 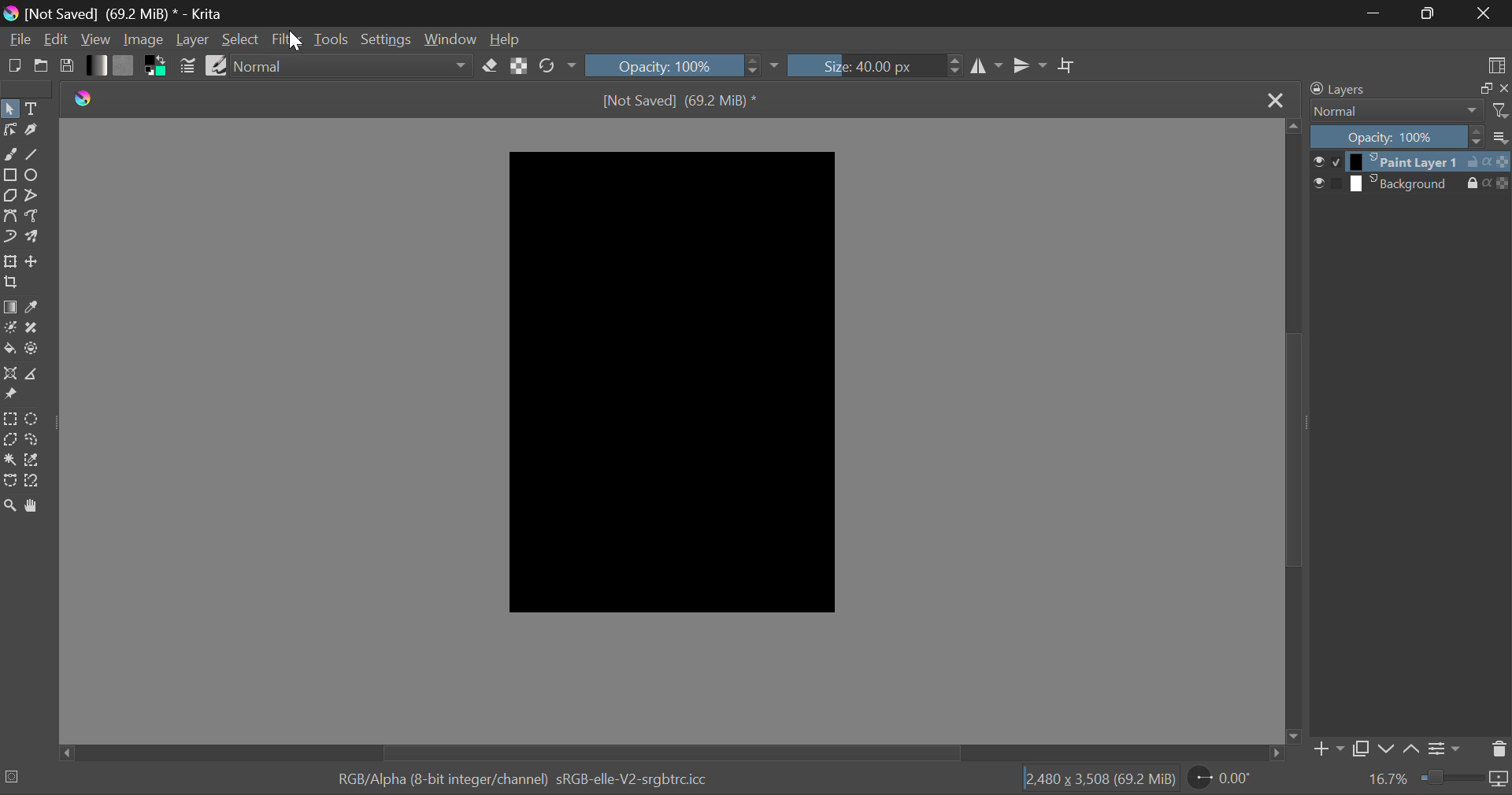 What do you see at coordinates (157, 66) in the screenshot?
I see `Colors in Use` at bounding box center [157, 66].